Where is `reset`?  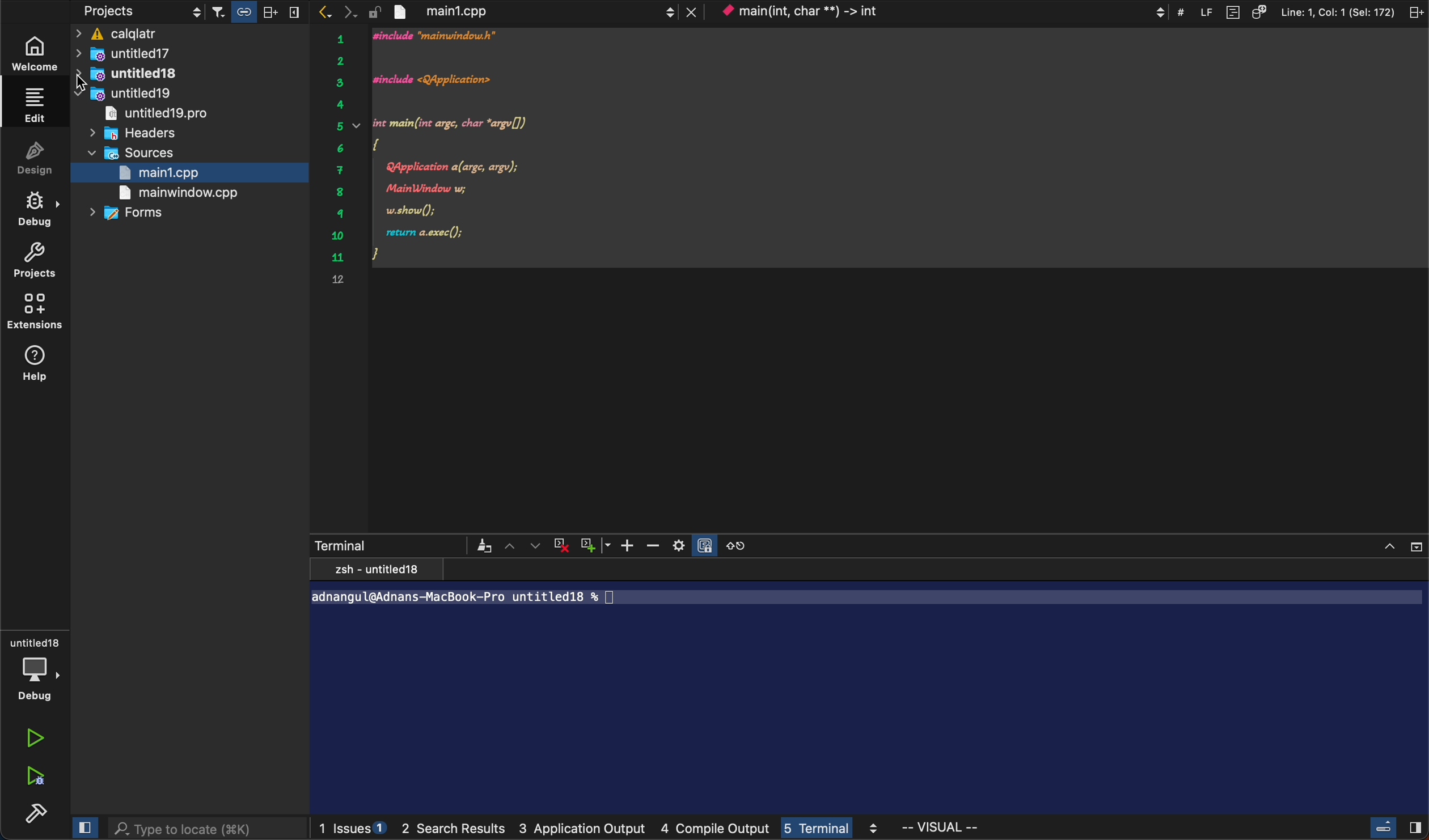 reset is located at coordinates (741, 545).